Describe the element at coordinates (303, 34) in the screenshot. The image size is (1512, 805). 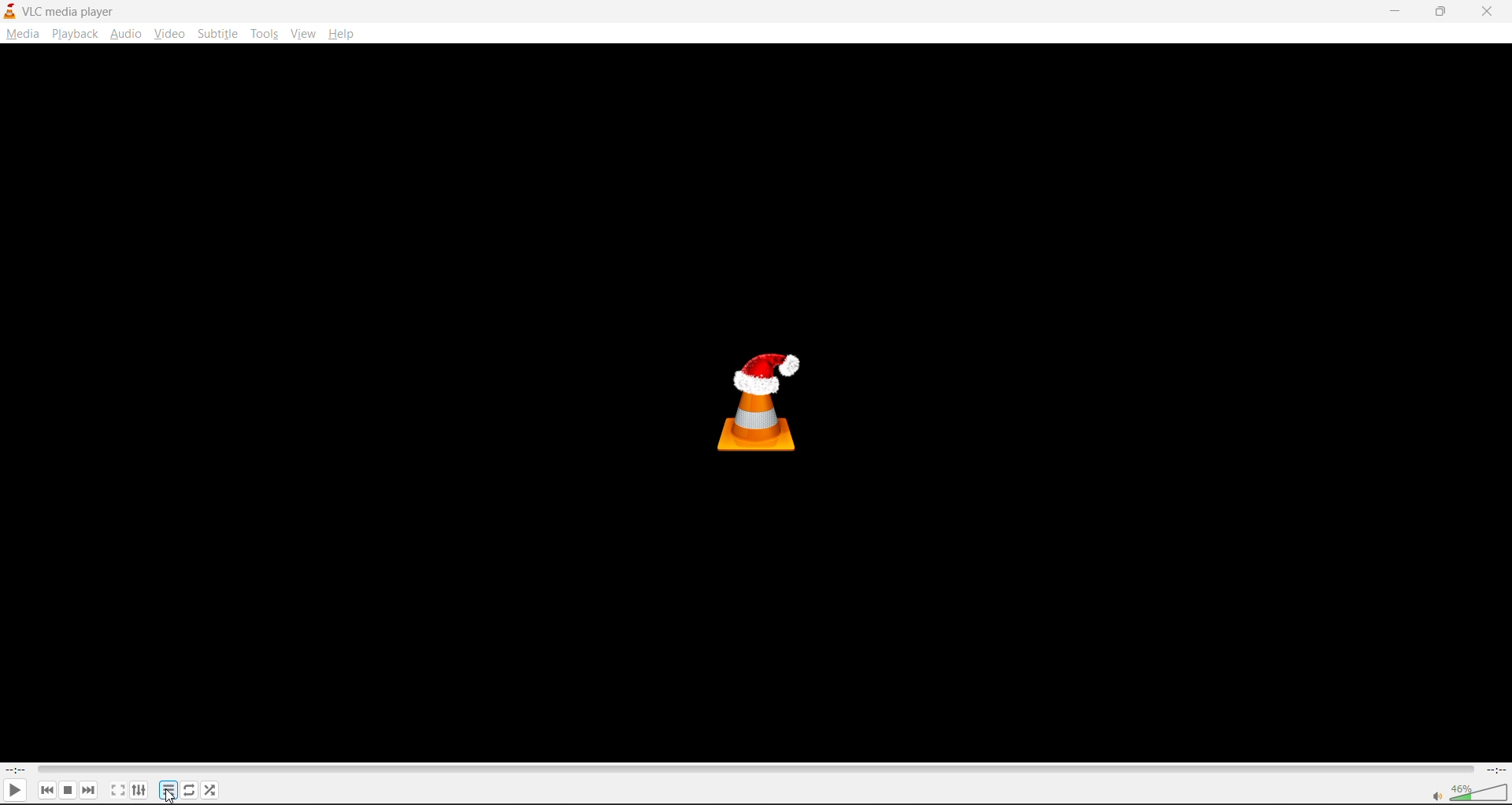
I see `view` at that location.